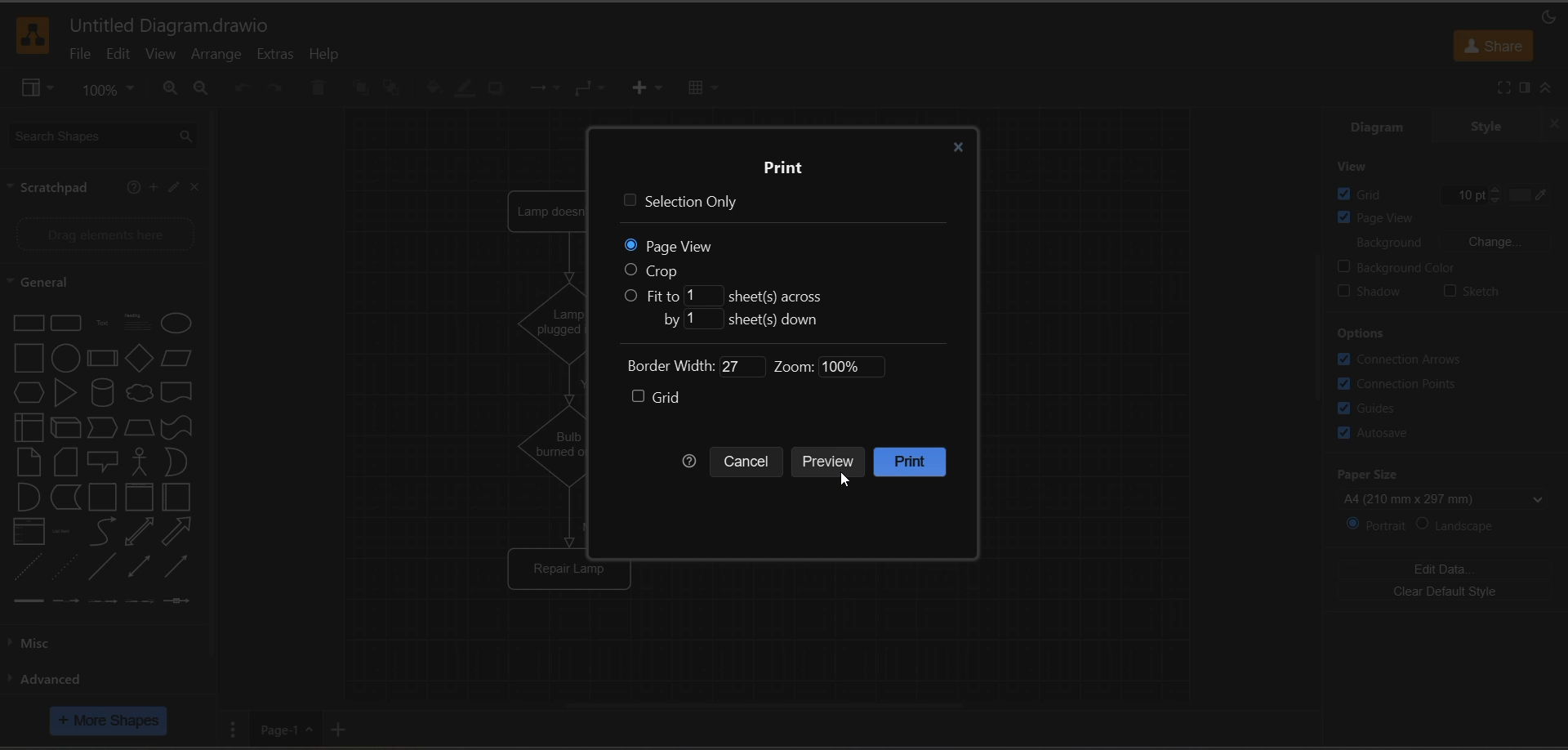 The image size is (1568, 750). I want to click on landscape, so click(1464, 527).